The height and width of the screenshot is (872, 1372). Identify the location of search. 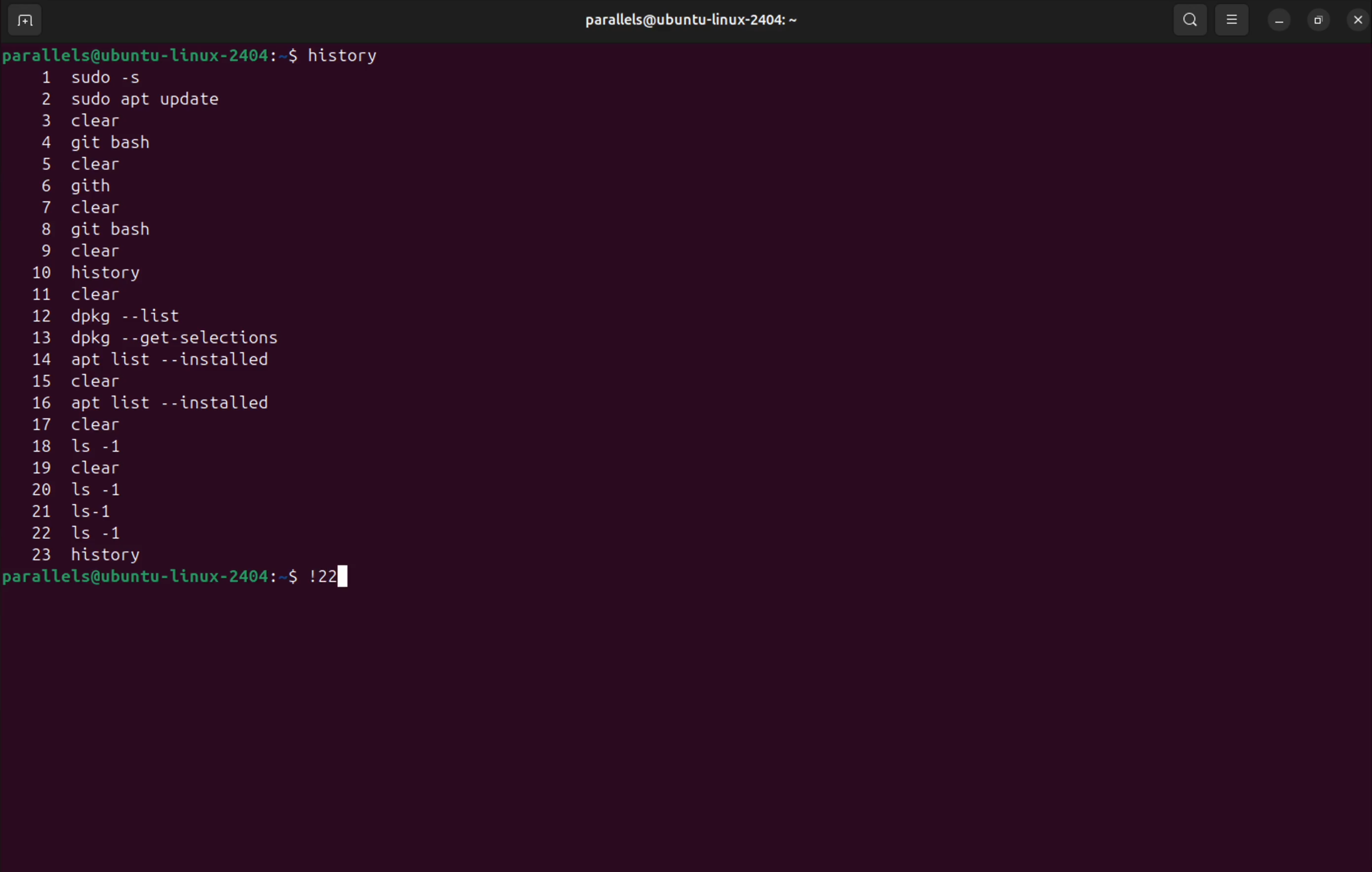
(1189, 19).